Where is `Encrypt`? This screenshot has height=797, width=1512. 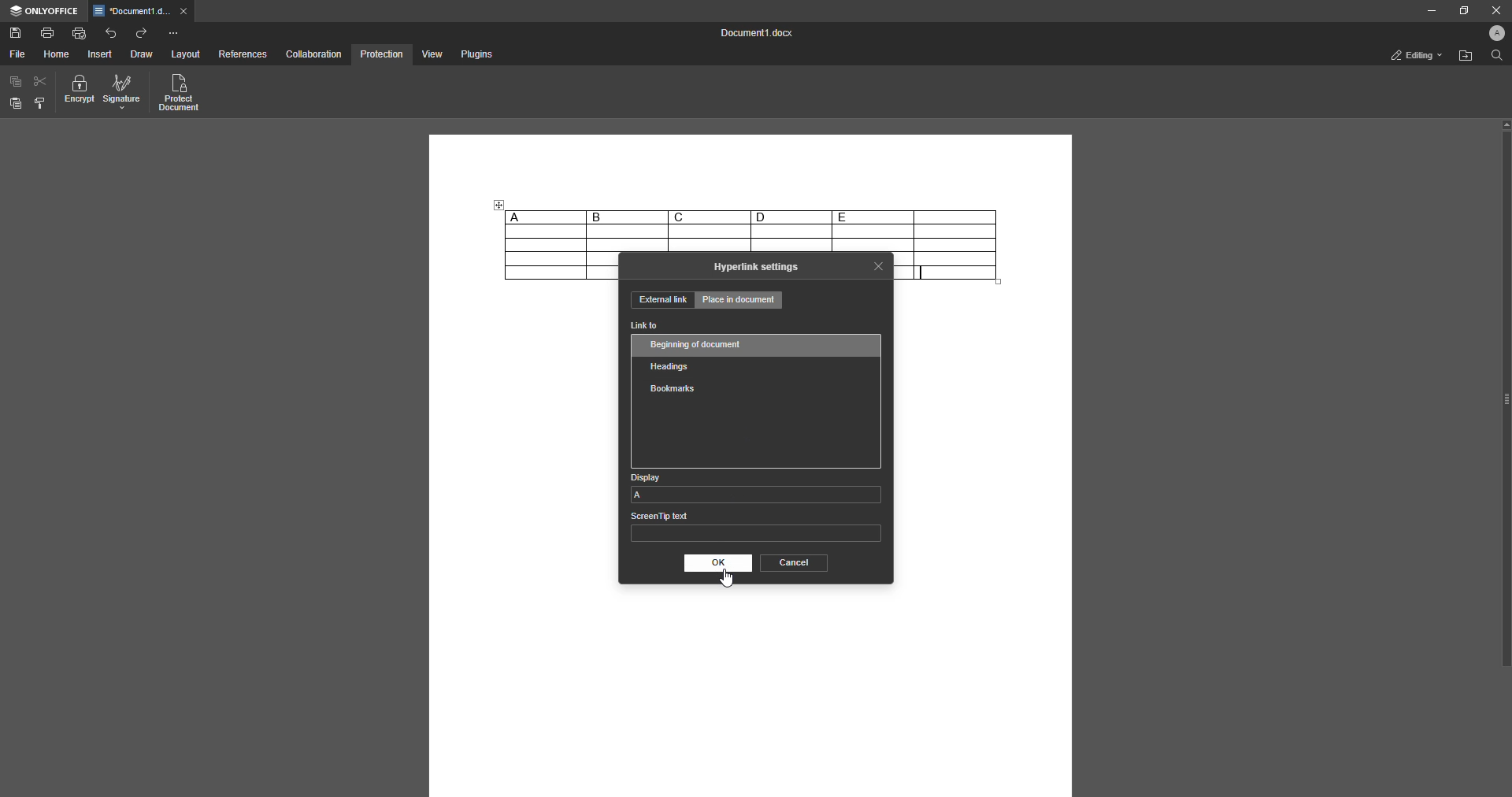
Encrypt is located at coordinates (80, 92).